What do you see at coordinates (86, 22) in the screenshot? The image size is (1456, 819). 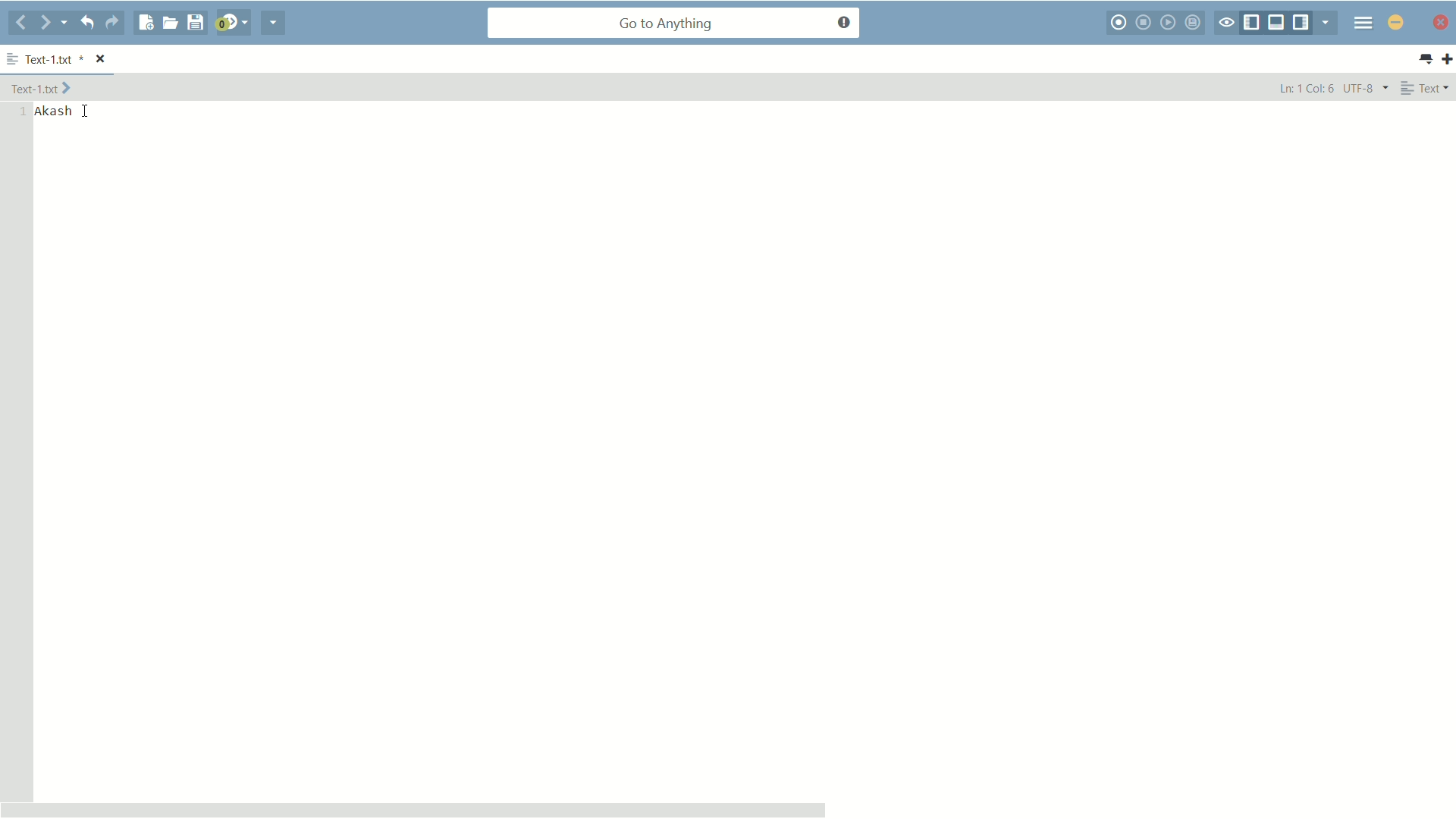 I see `undo` at bounding box center [86, 22].